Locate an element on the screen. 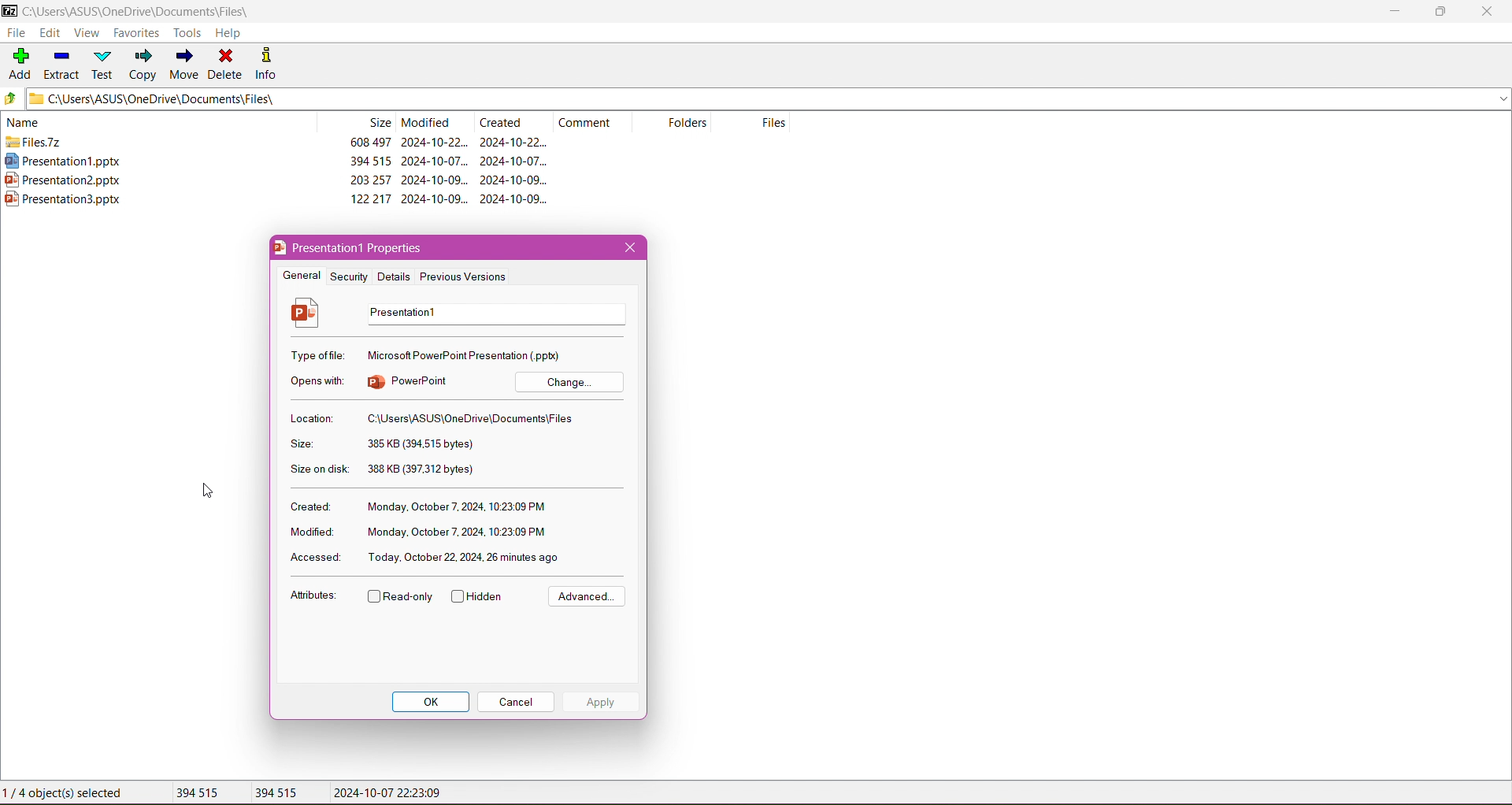  Help is located at coordinates (229, 32).